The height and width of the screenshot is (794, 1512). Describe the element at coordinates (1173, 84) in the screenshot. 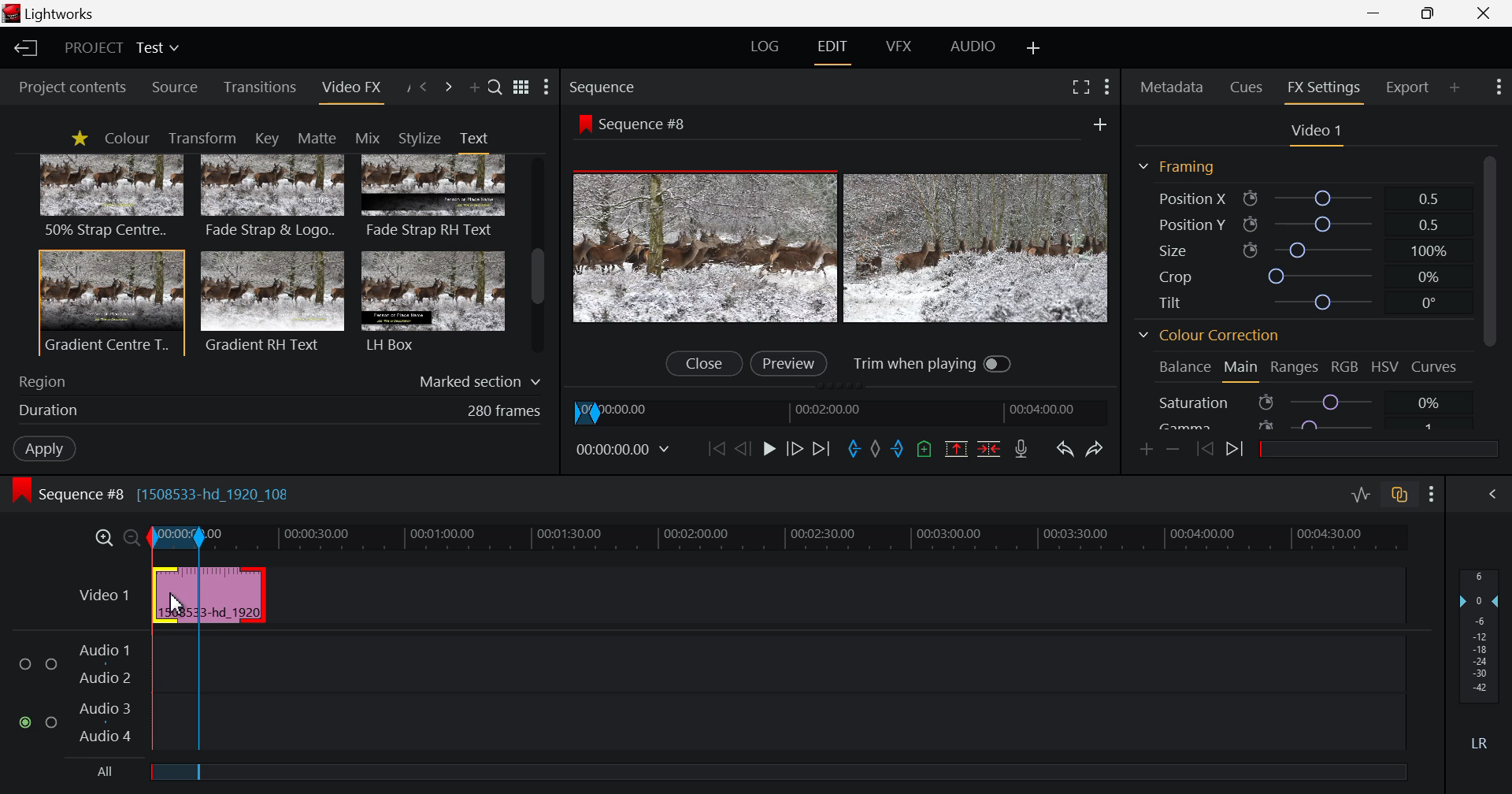

I see `Metadata` at that location.